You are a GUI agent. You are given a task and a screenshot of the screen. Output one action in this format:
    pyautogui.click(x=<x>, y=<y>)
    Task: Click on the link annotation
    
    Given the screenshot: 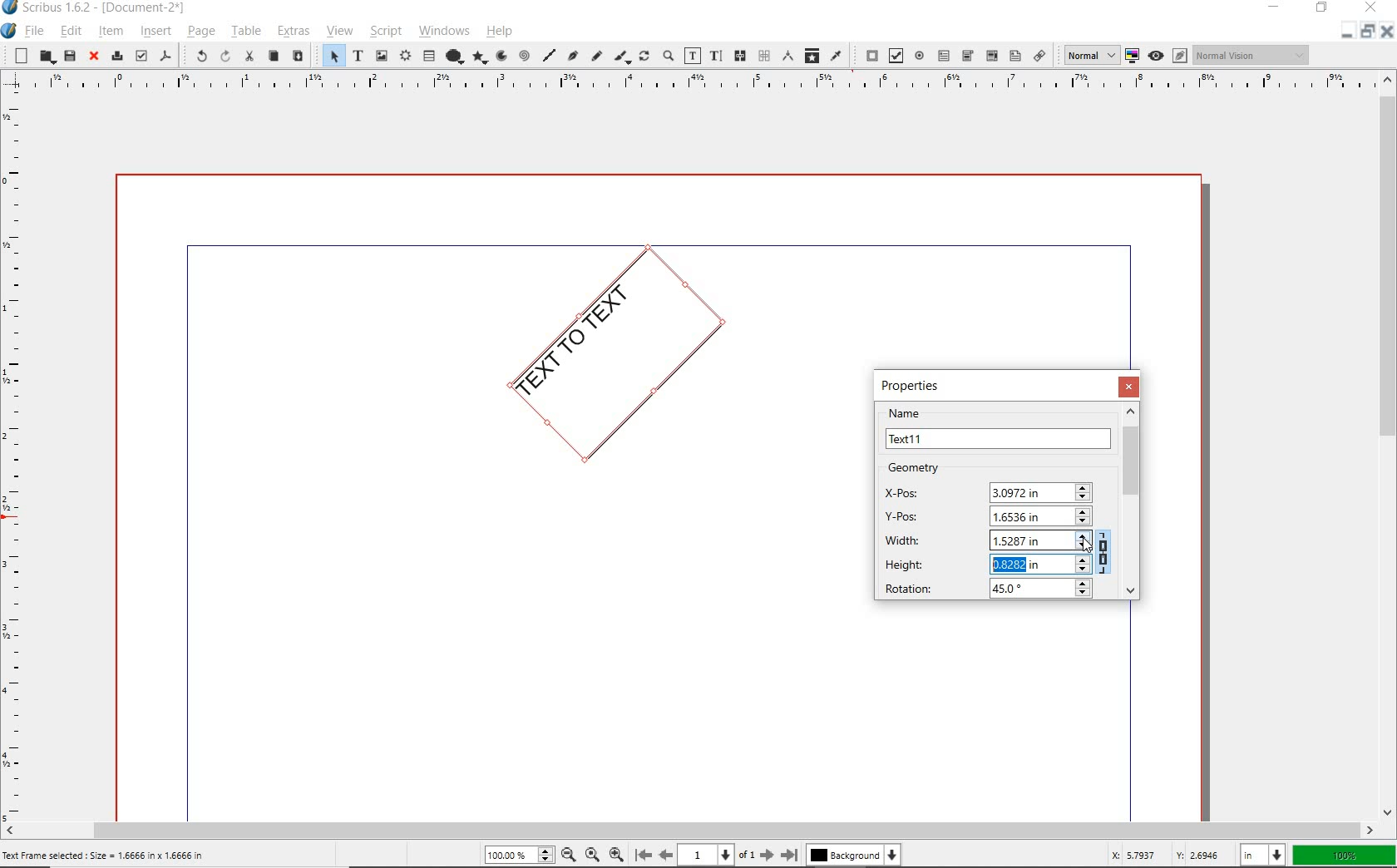 What is the action you would take?
    pyautogui.click(x=1038, y=55)
    